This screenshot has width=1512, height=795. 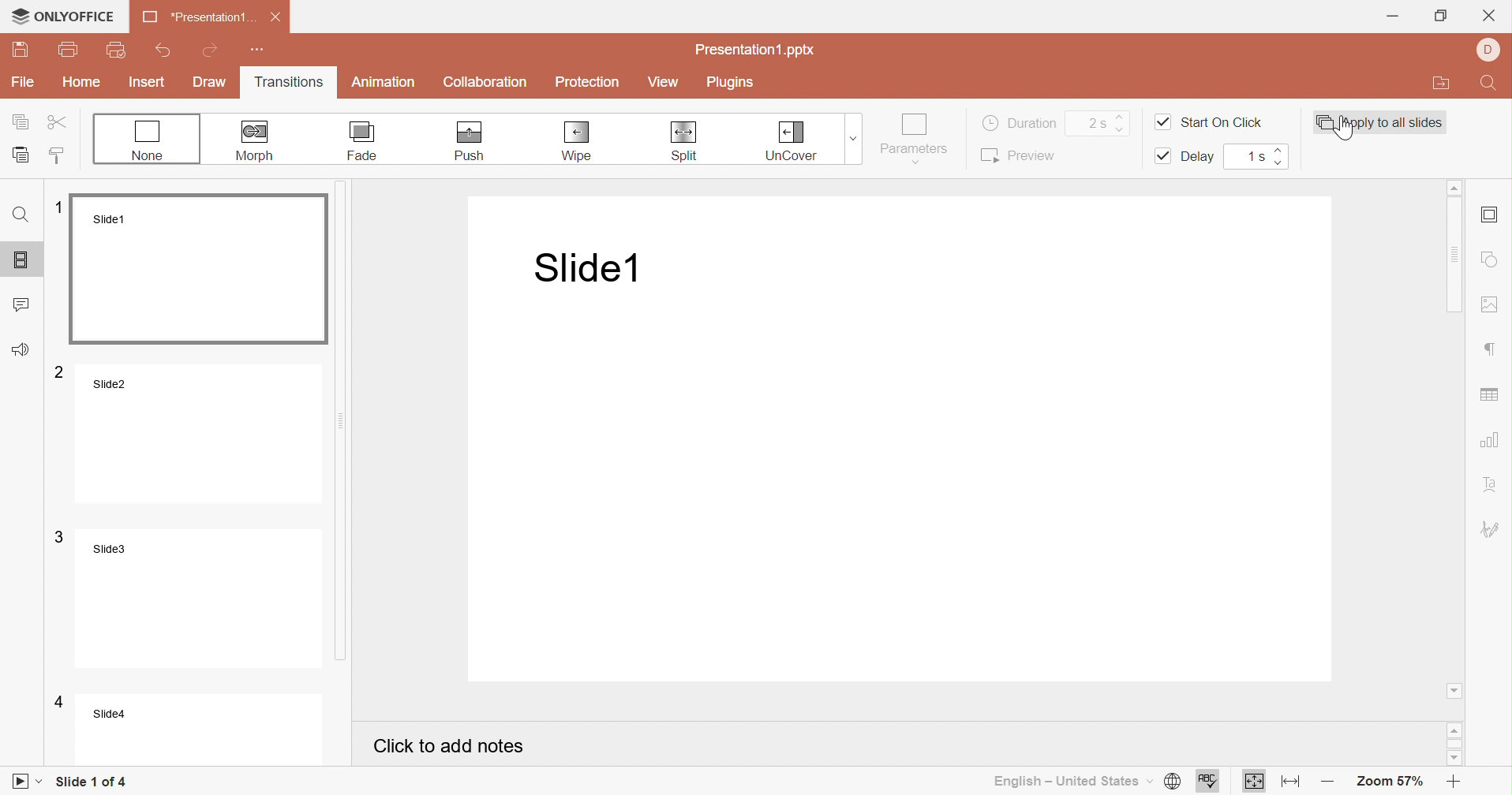 What do you see at coordinates (1392, 15) in the screenshot?
I see `Minimize` at bounding box center [1392, 15].